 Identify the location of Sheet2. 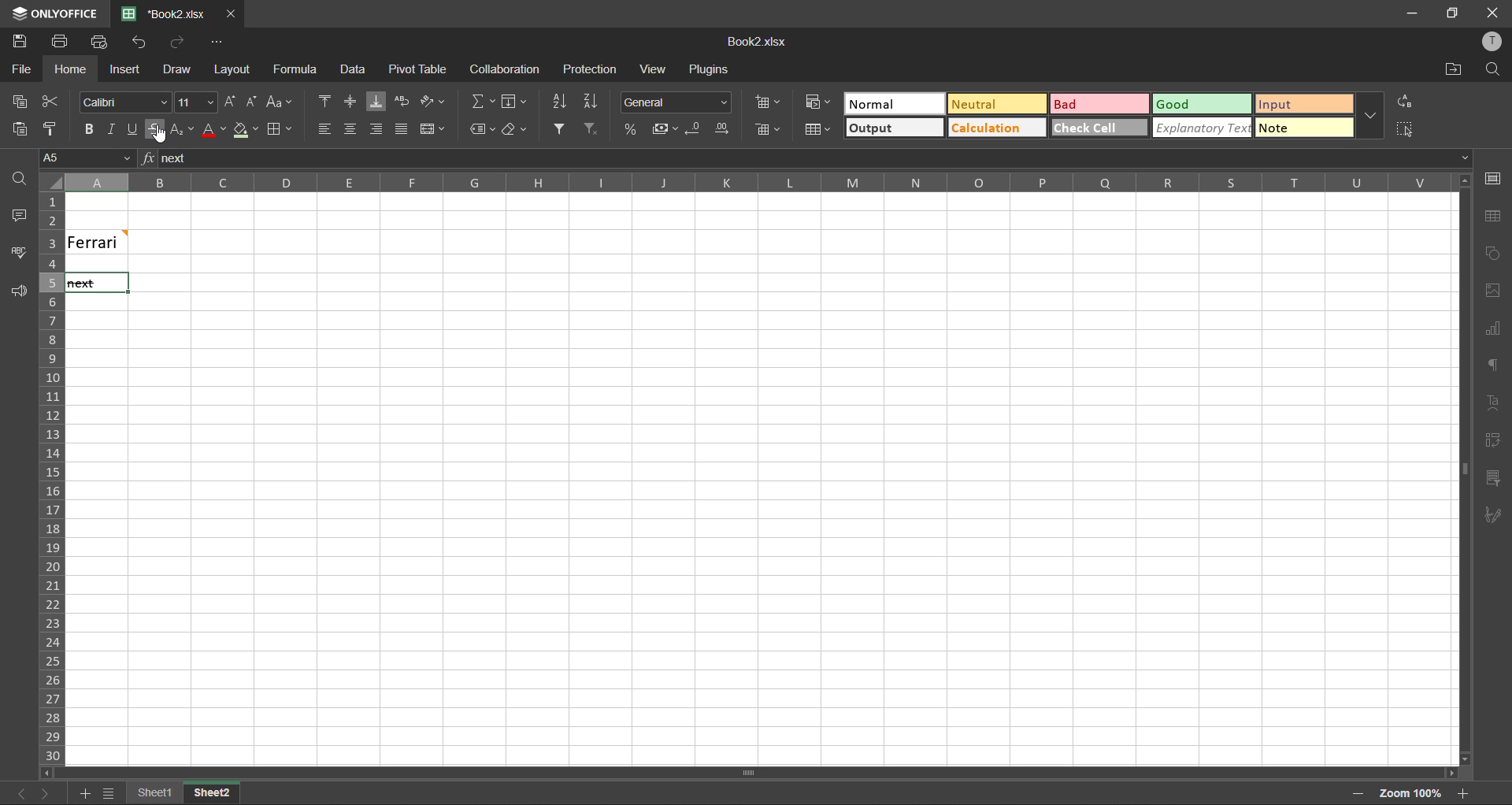
(217, 795).